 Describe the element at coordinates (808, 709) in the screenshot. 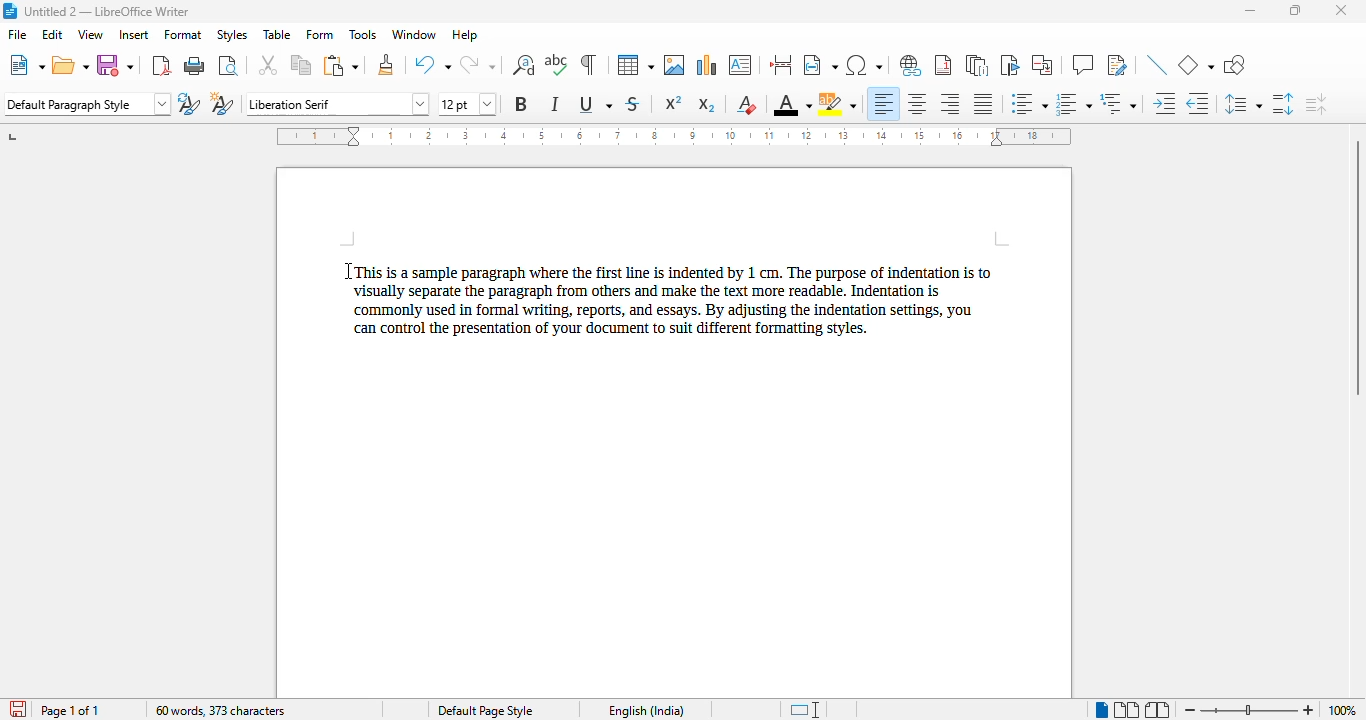

I see `standard selection` at that location.